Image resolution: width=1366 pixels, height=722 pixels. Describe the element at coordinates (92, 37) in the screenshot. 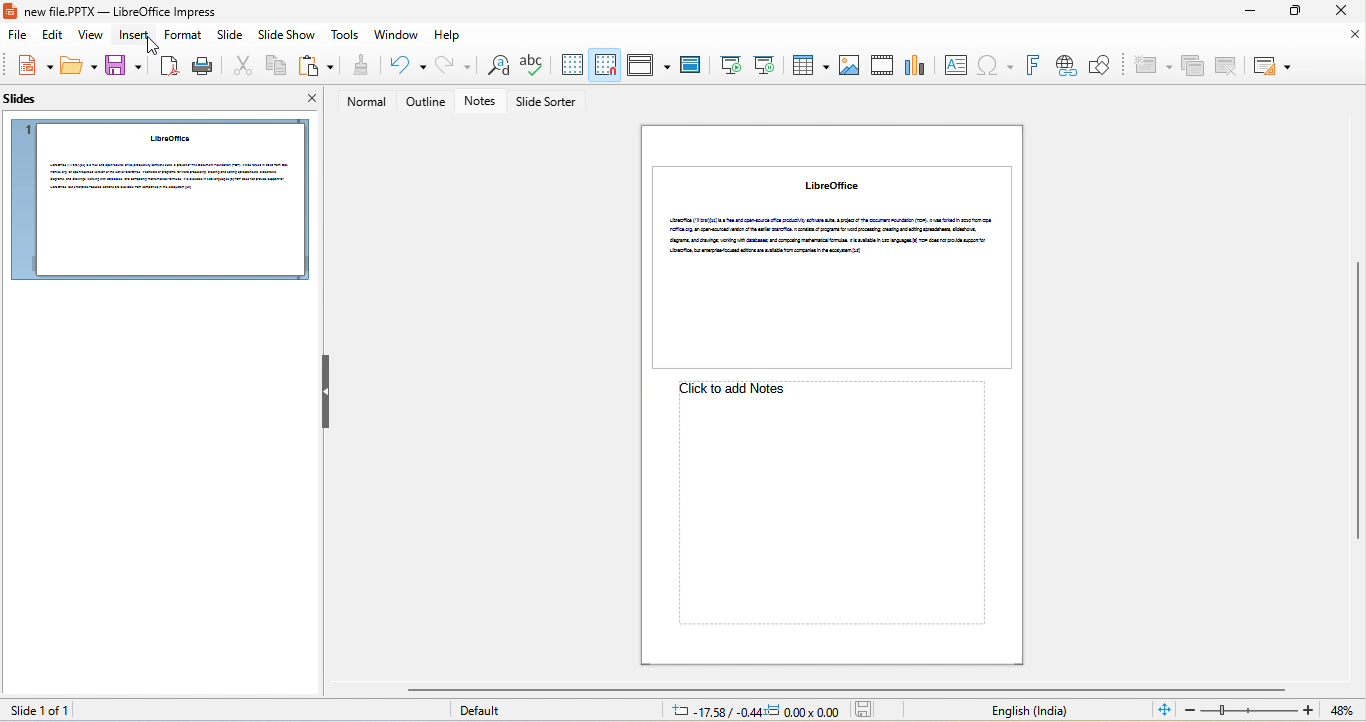

I see `view` at that location.